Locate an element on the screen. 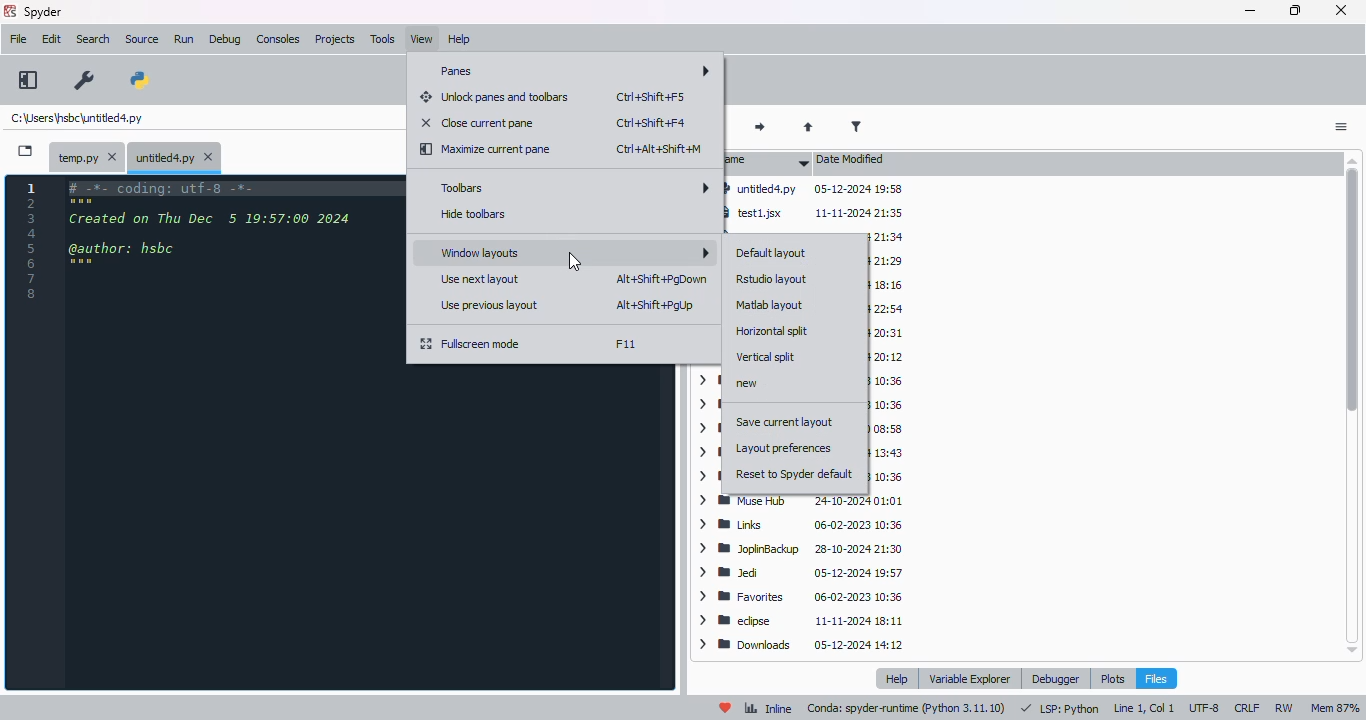  newreactjs.jsx is located at coordinates (886, 263).